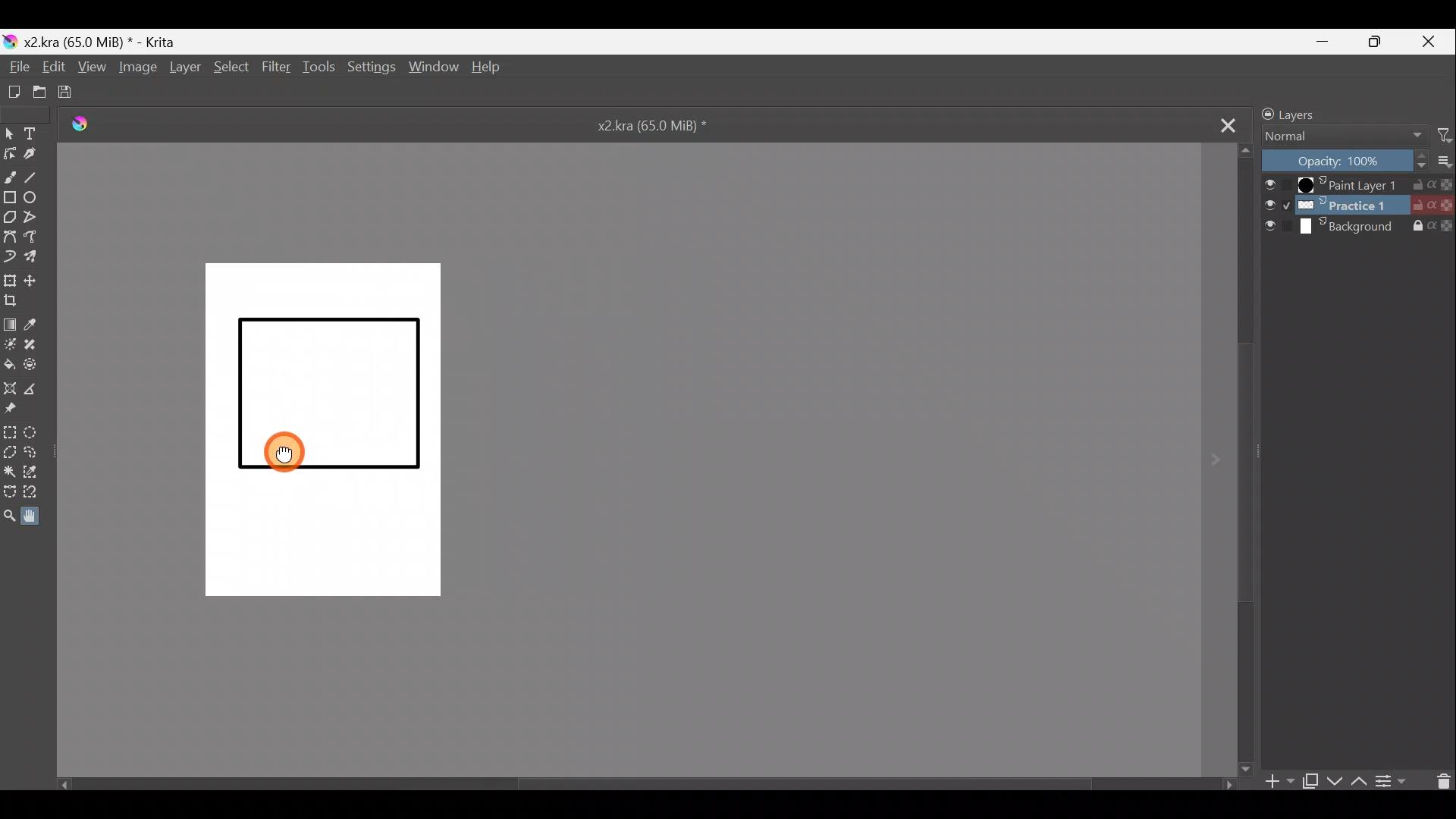 The width and height of the screenshot is (1456, 819). What do you see at coordinates (1393, 781) in the screenshot?
I see `View/change layer properties` at bounding box center [1393, 781].